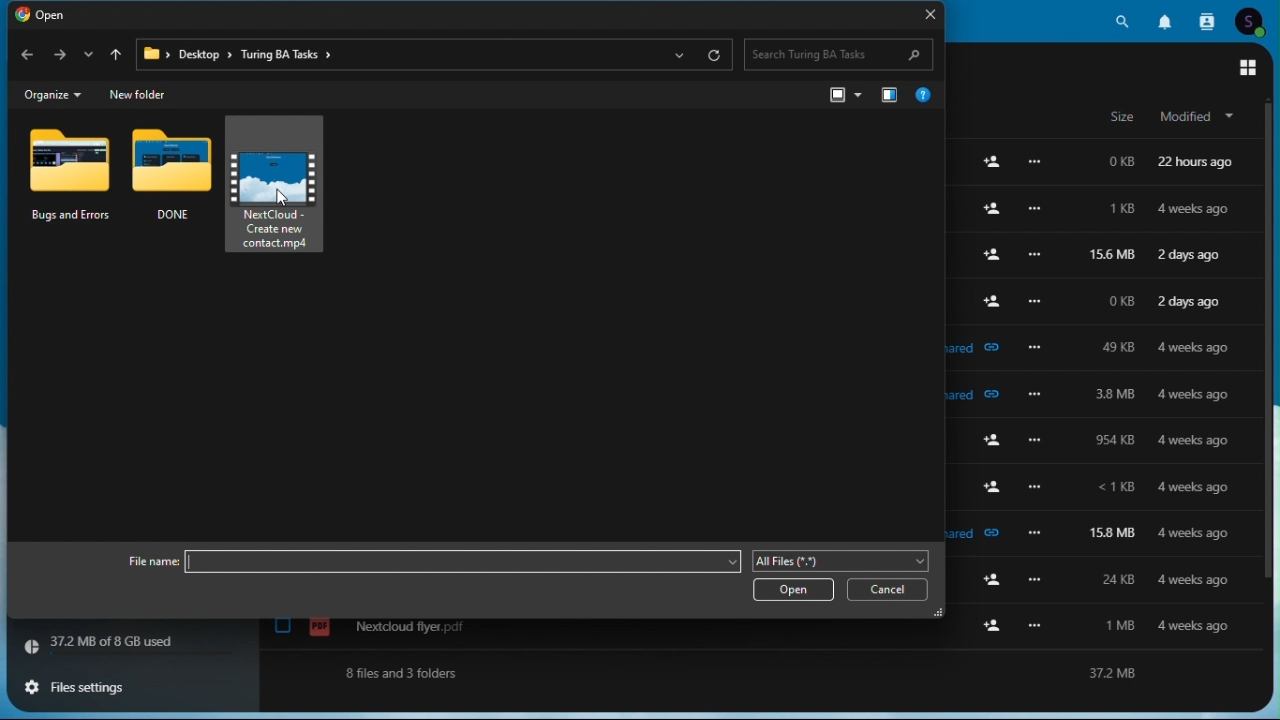  I want to click on modified, so click(1199, 118).